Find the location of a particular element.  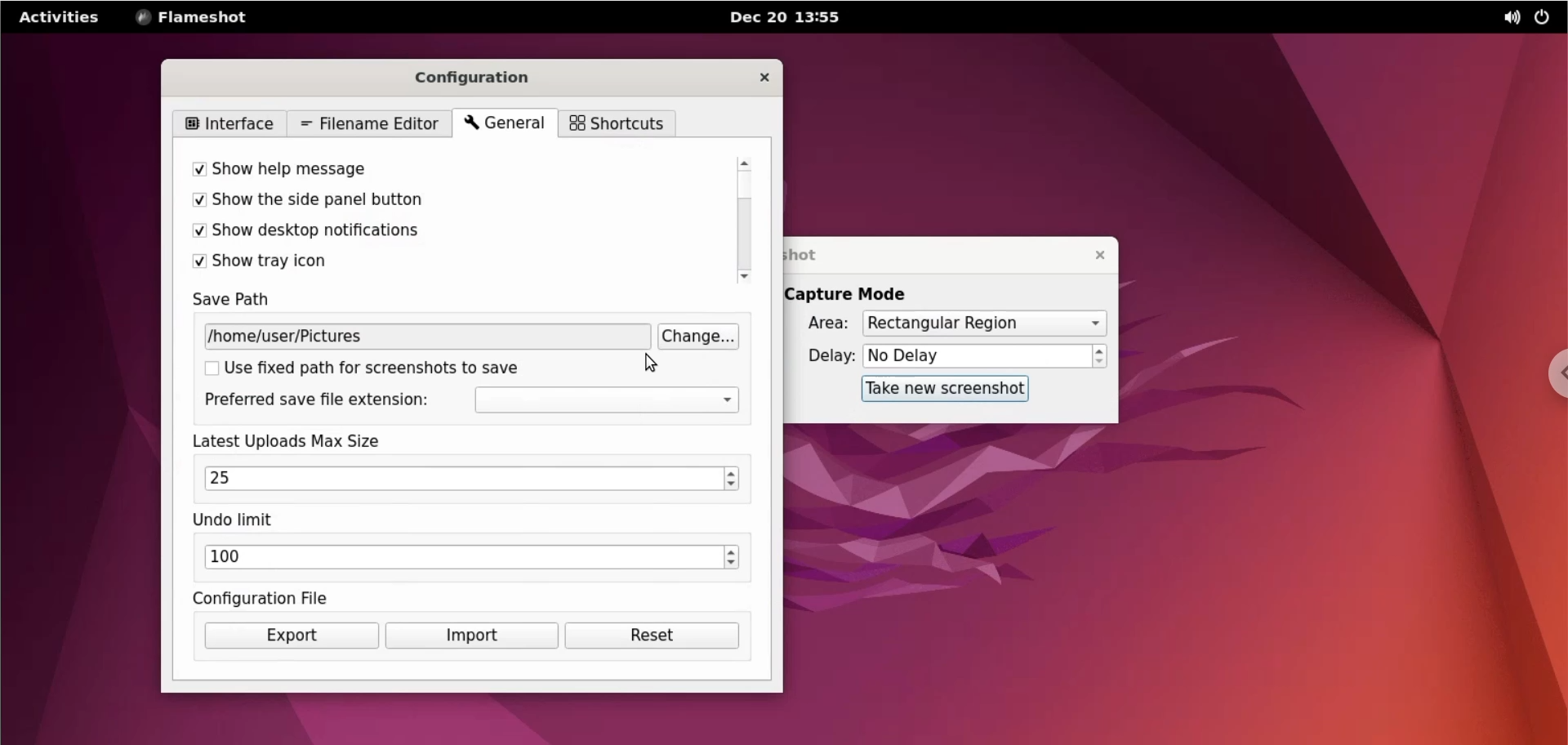

shortcuts is located at coordinates (617, 123).